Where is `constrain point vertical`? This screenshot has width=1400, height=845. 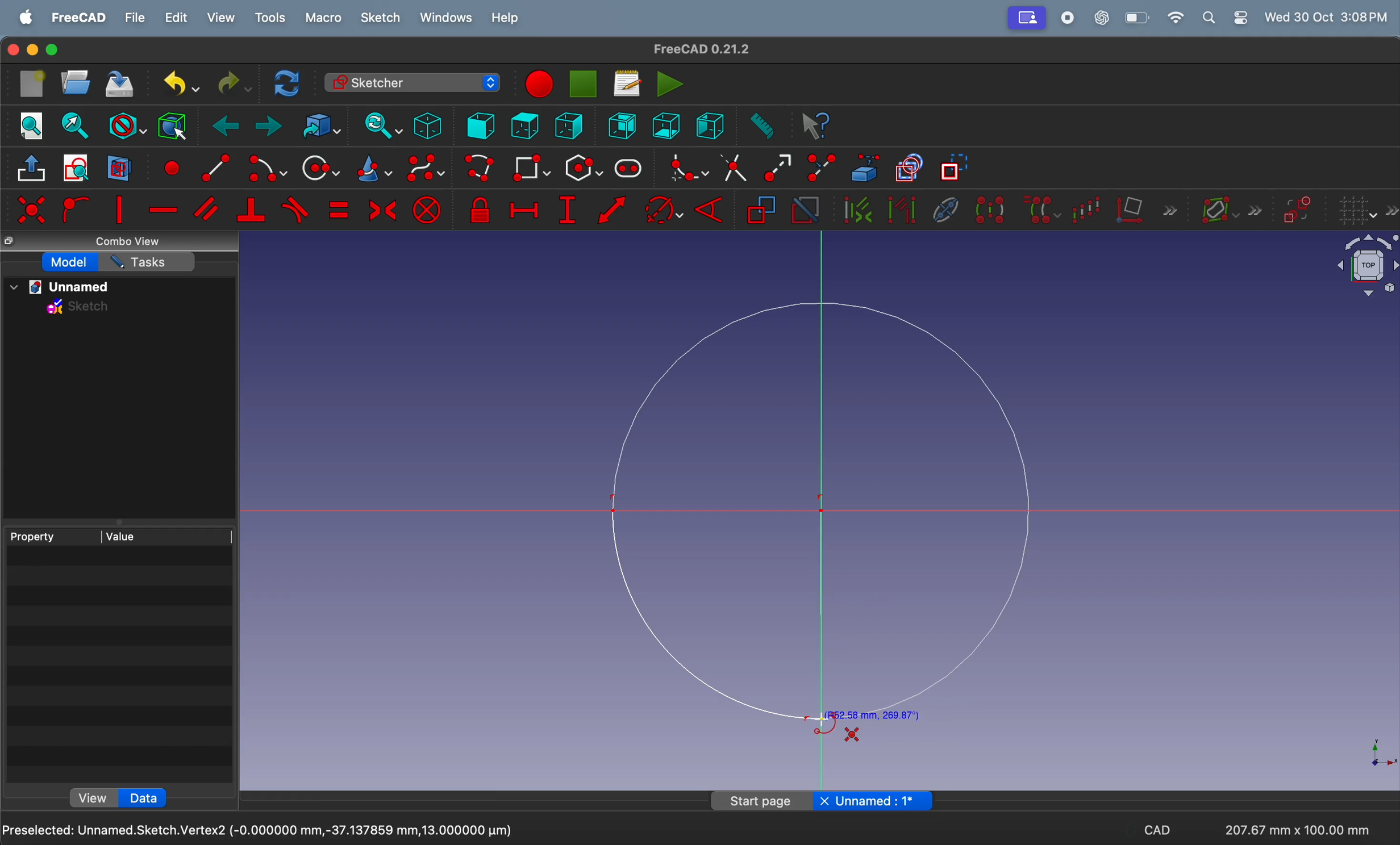
constrain point vertical is located at coordinates (119, 210).